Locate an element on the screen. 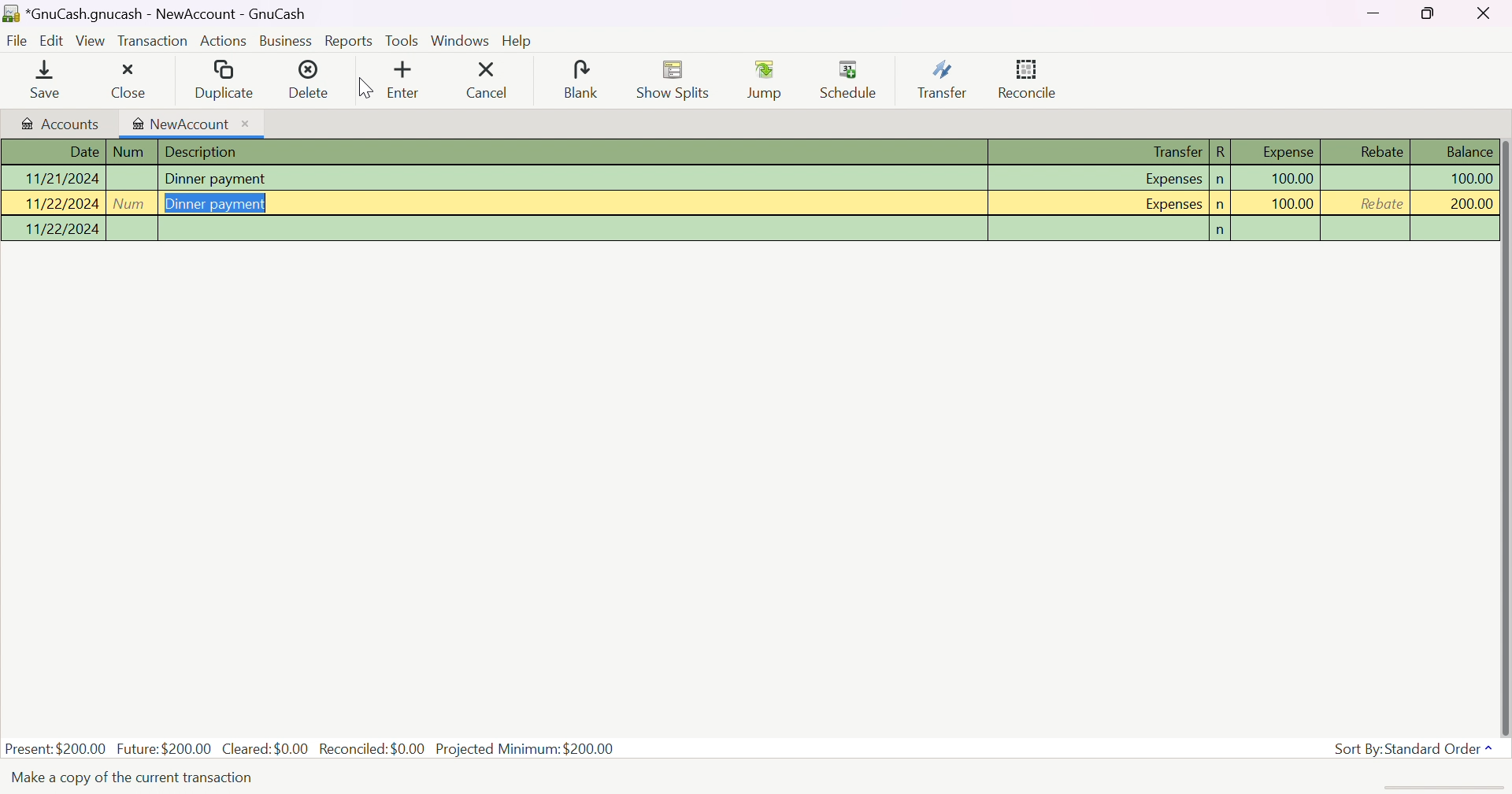  Dinner payment is located at coordinates (216, 177).